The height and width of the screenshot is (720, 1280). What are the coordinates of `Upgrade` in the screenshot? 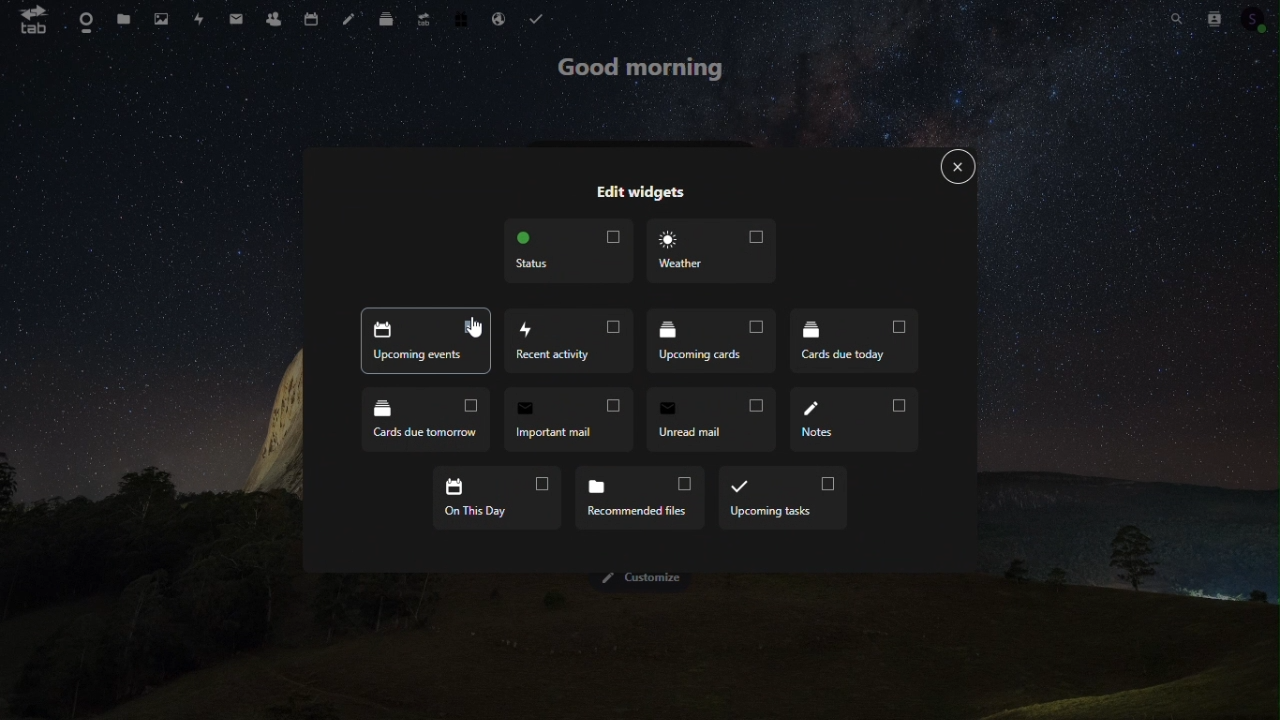 It's located at (424, 17).